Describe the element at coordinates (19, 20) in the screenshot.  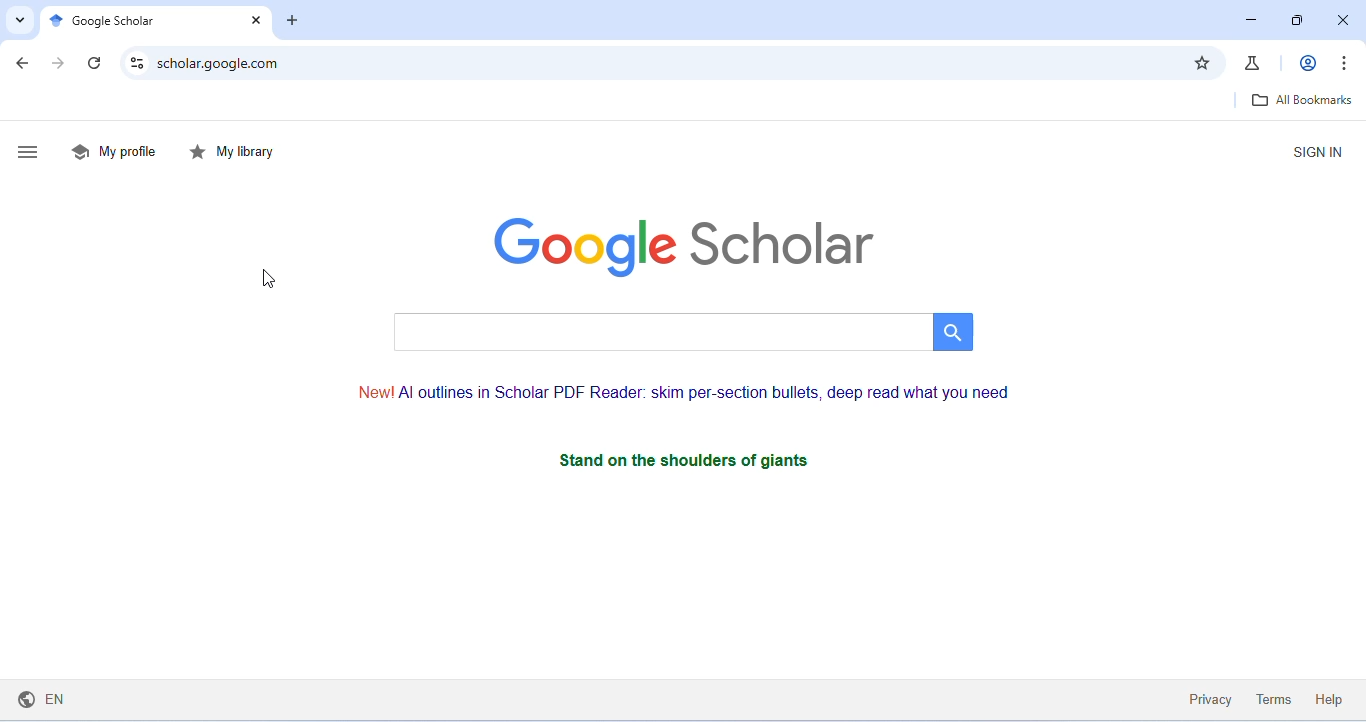
I see `search tabs` at that location.